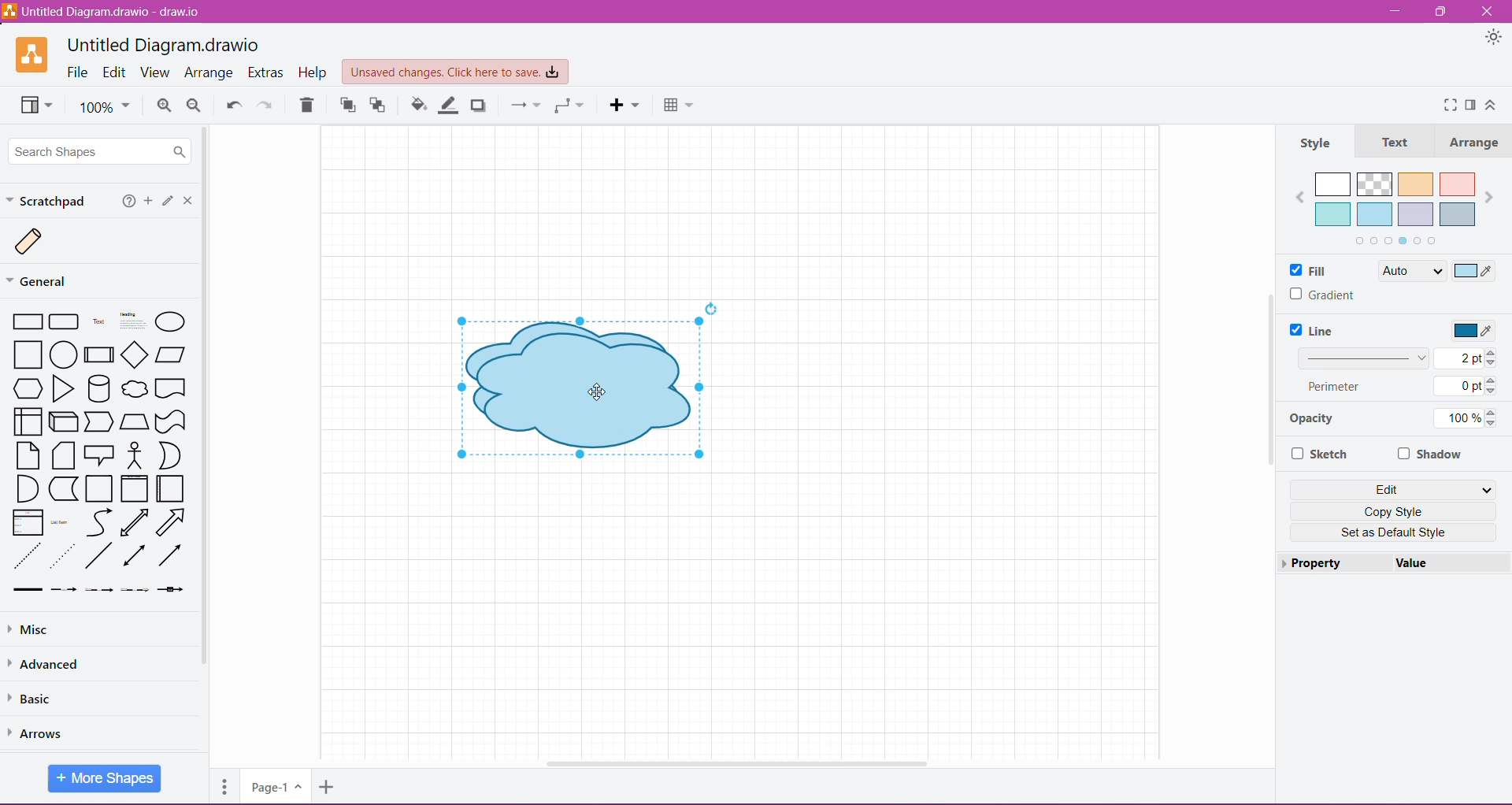  What do you see at coordinates (329, 786) in the screenshot?
I see `Insert Page` at bounding box center [329, 786].